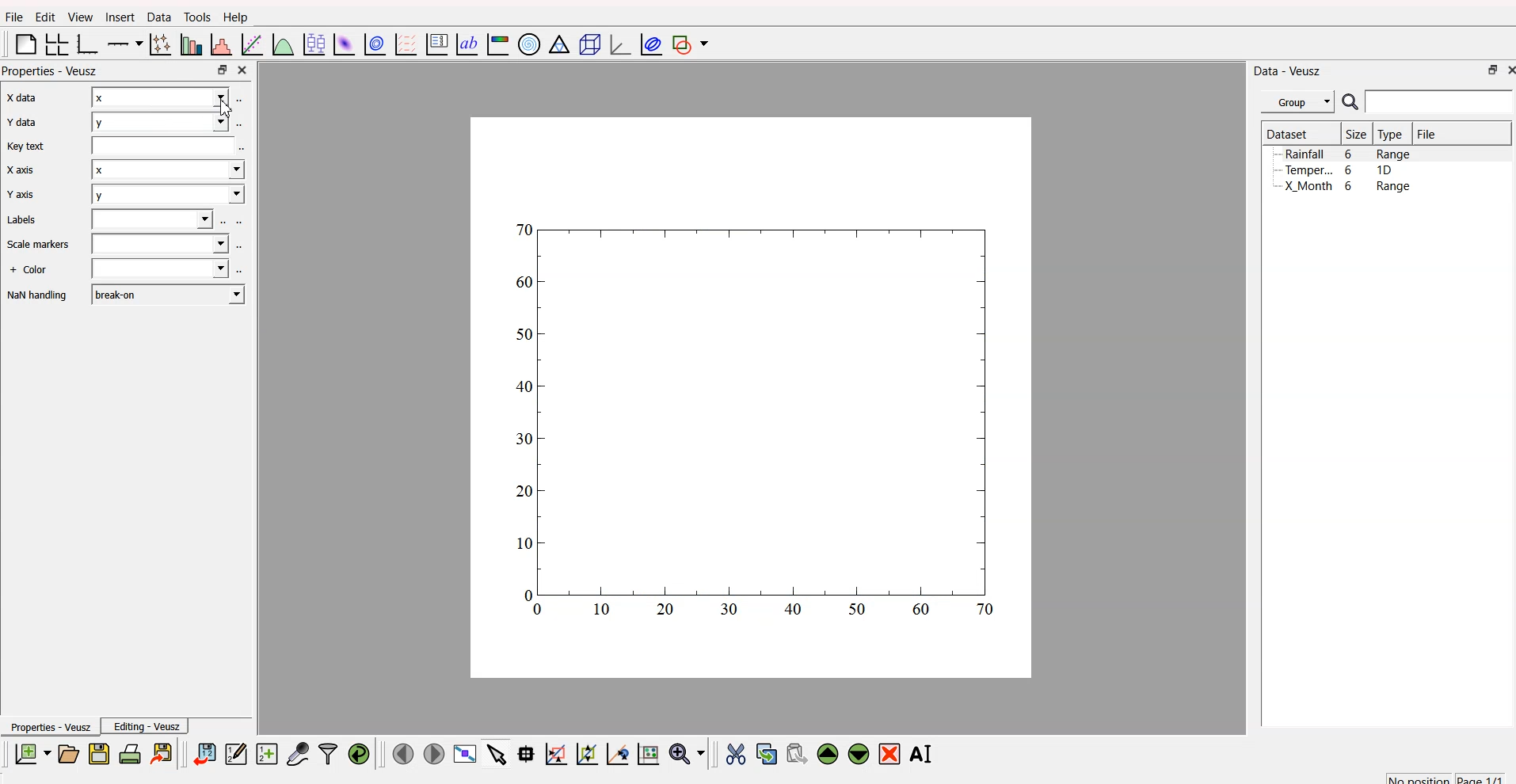 The height and width of the screenshot is (784, 1516). Describe the element at coordinates (163, 293) in the screenshot. I see `break-on` at that location.